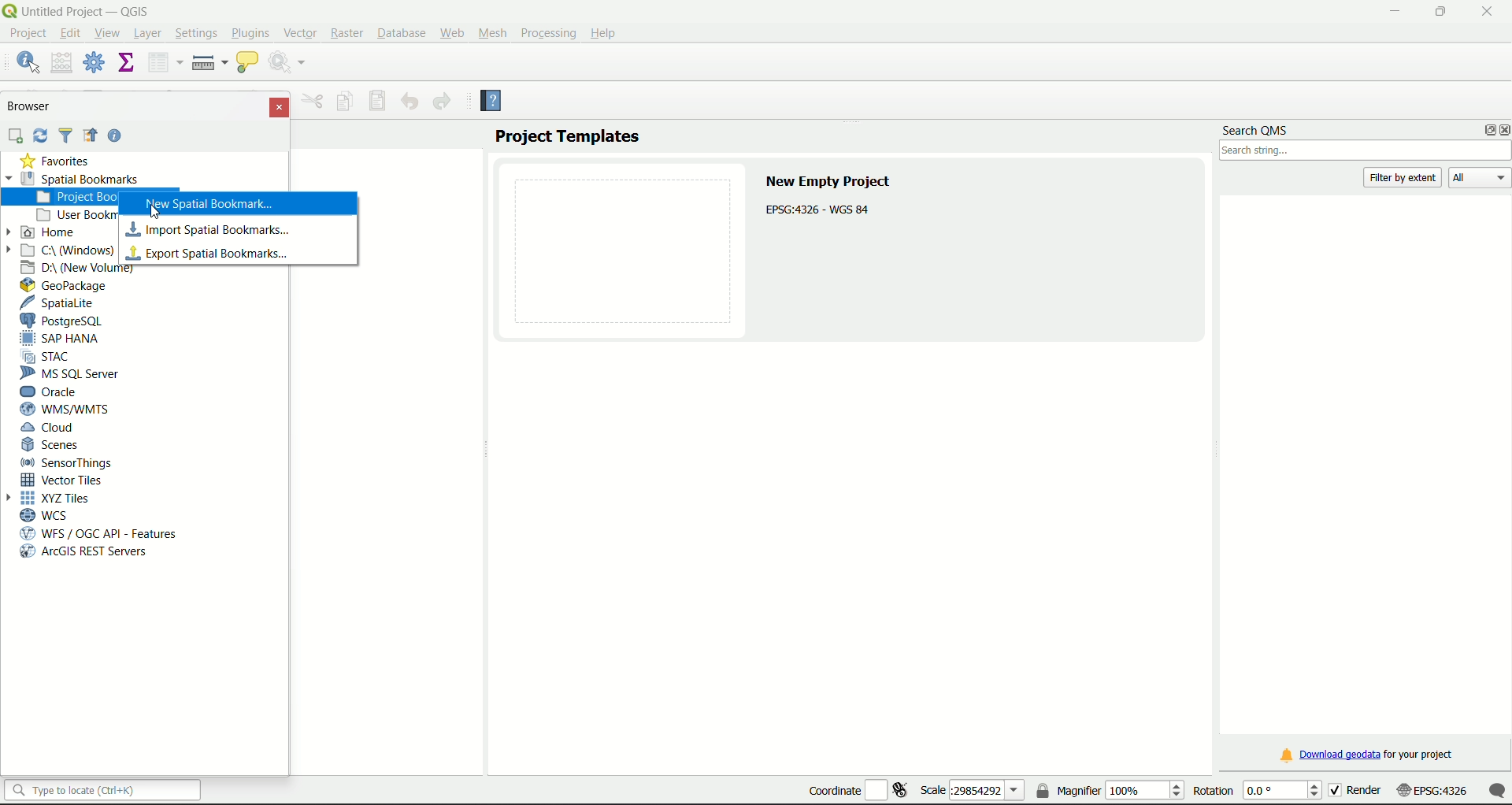 This screenshot has height=805, width=1512. What do you see at coordinates (148, 35) in the screenshot?
I see `Layer` at bounding box center [148, 35].